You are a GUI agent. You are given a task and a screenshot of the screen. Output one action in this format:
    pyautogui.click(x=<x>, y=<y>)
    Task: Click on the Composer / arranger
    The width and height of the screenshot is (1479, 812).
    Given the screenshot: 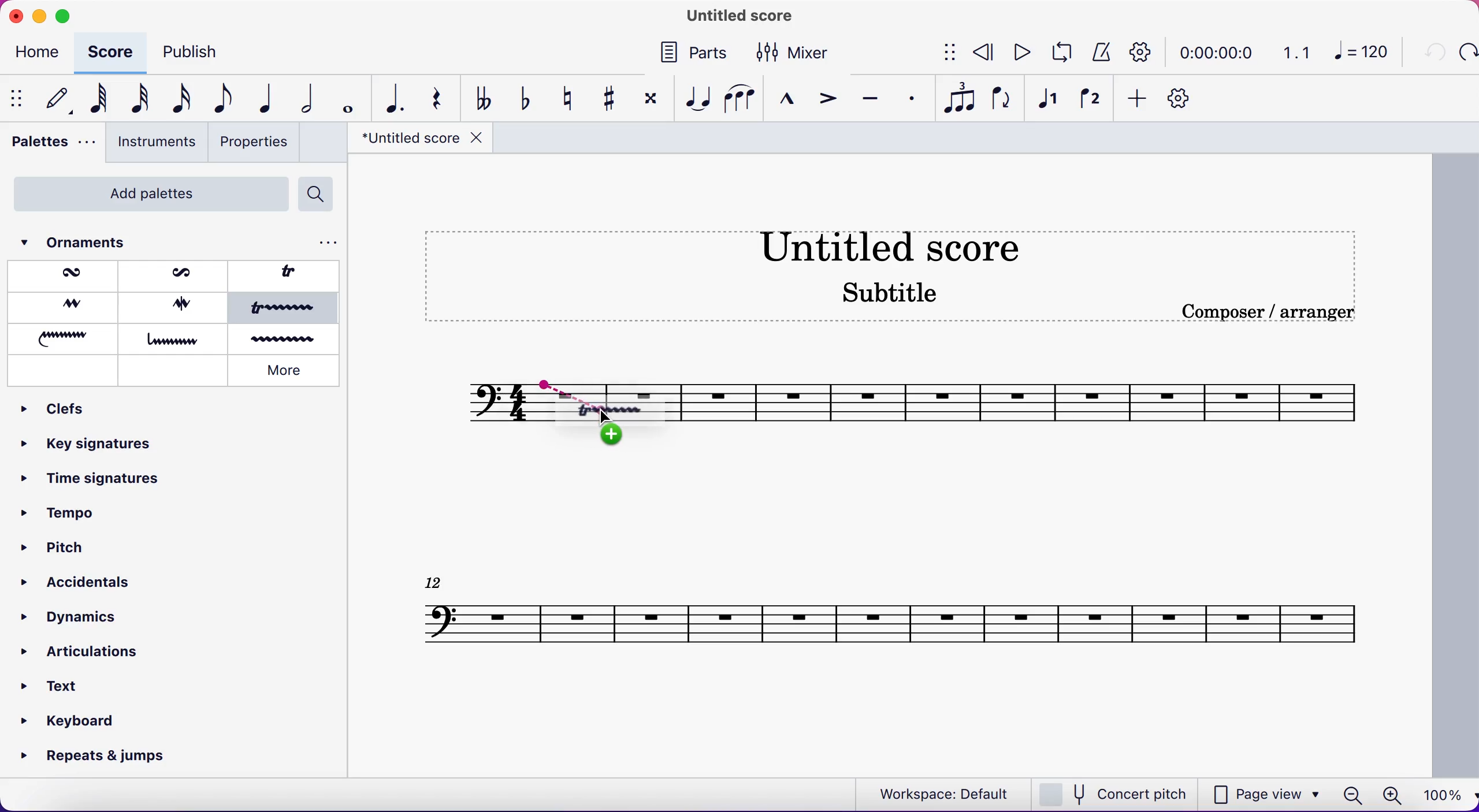 What is the action you would take?
    pyautogui.click(x=1281, y=312)
    